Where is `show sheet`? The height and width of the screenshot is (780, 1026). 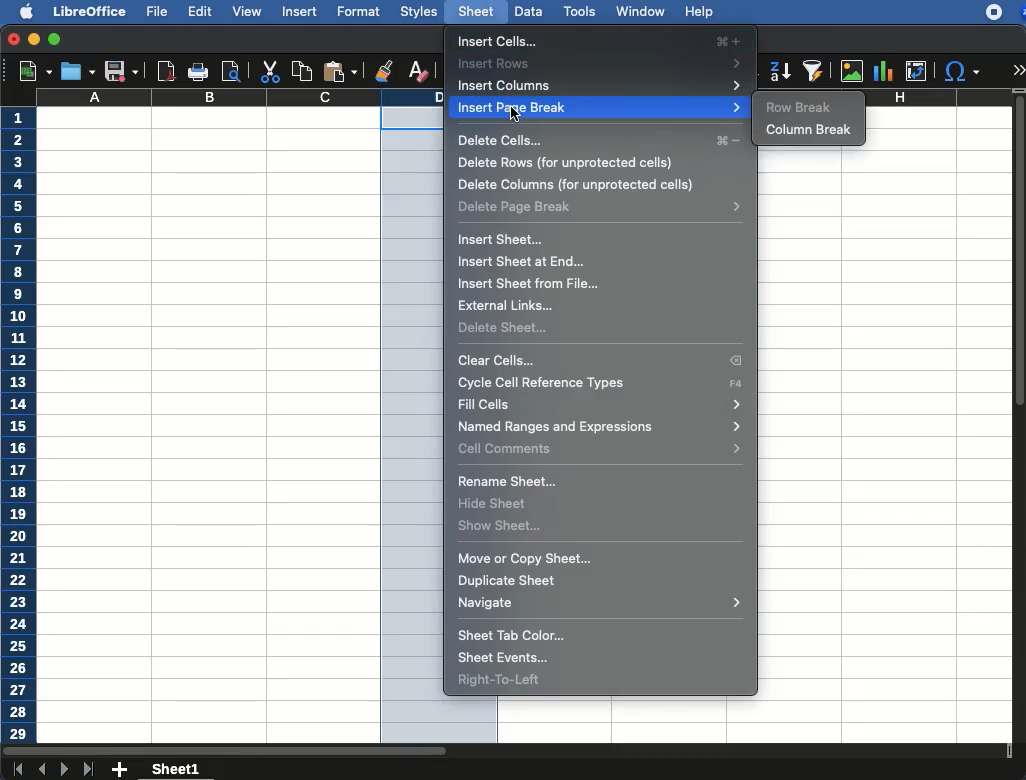
show sheet is located at coordinates (499, 524).